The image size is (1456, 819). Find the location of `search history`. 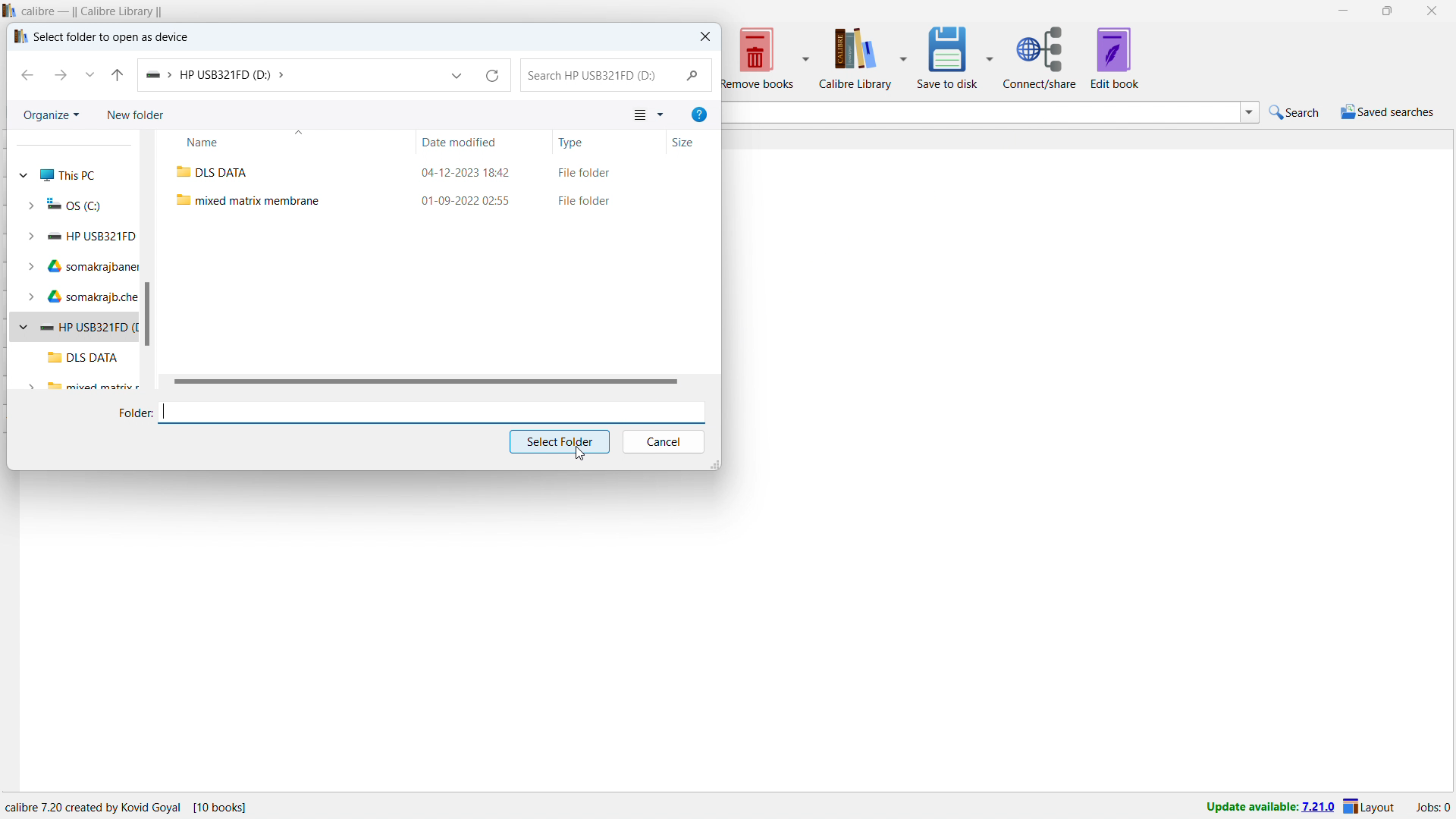

search history is located at coordinates (1249, 112).